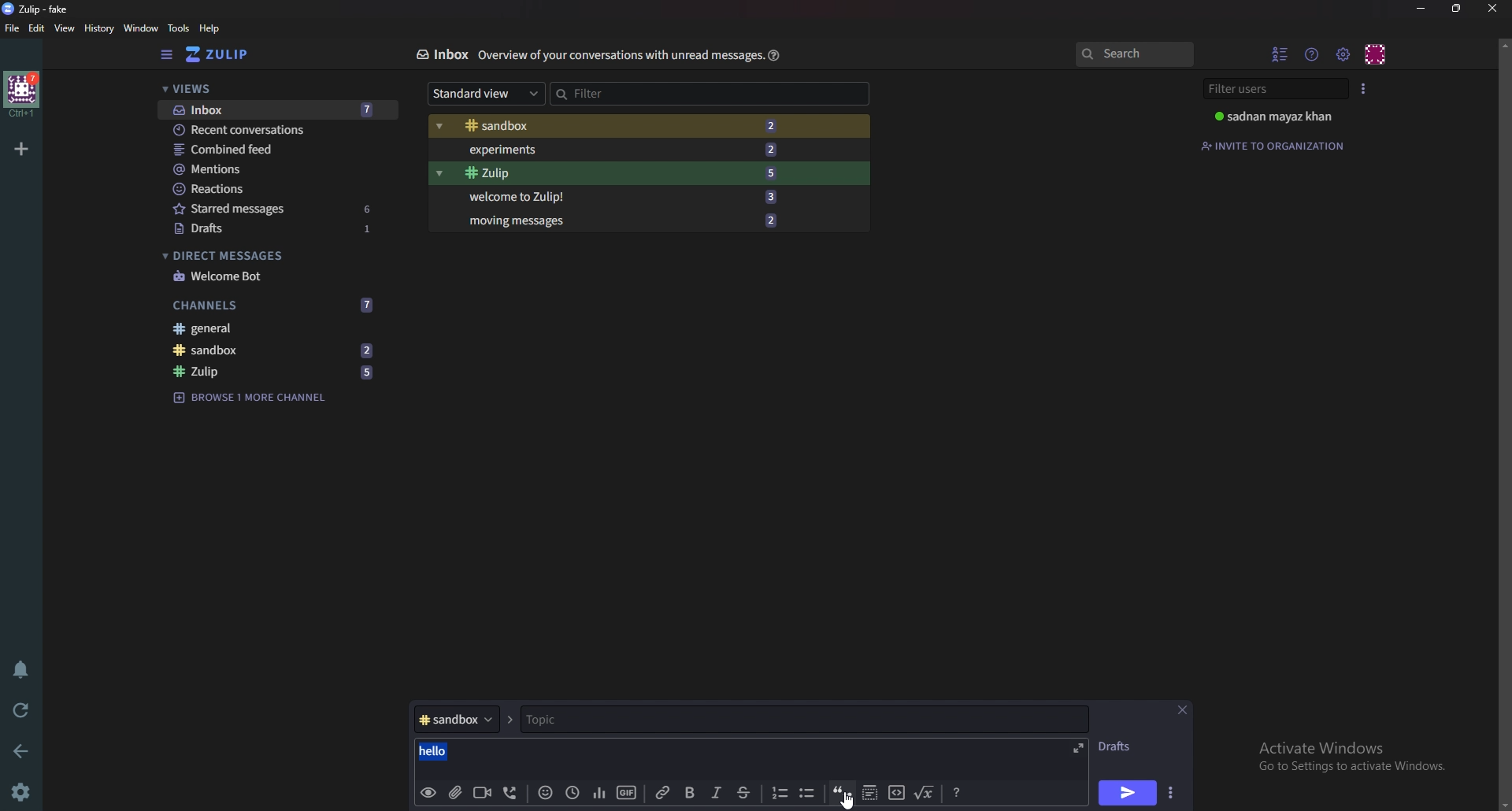 The image size is (1512, 811). I want to click on send, so click(1128, 793).